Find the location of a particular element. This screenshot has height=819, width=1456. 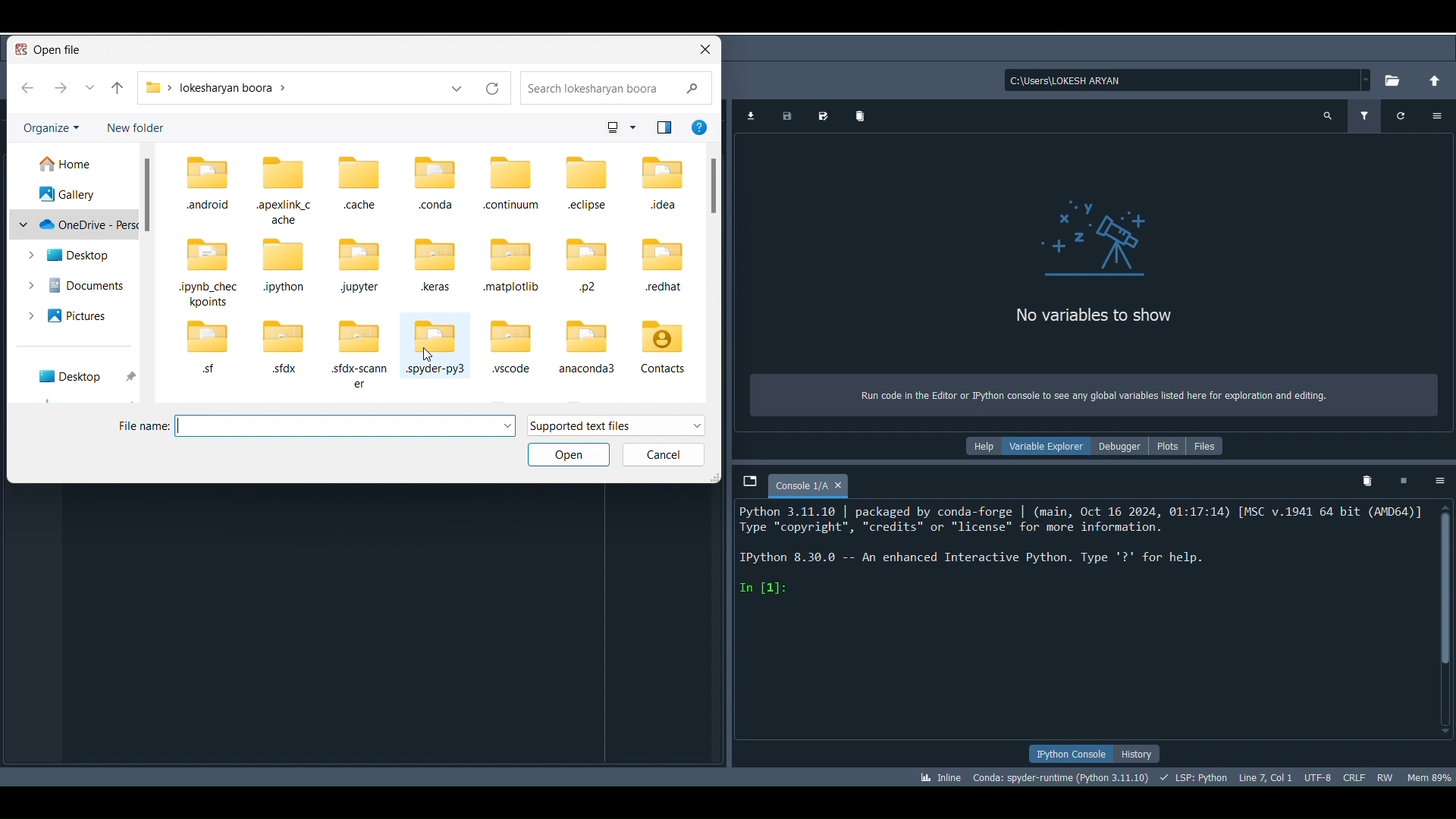

Folder is located at coordinates (661, 265).